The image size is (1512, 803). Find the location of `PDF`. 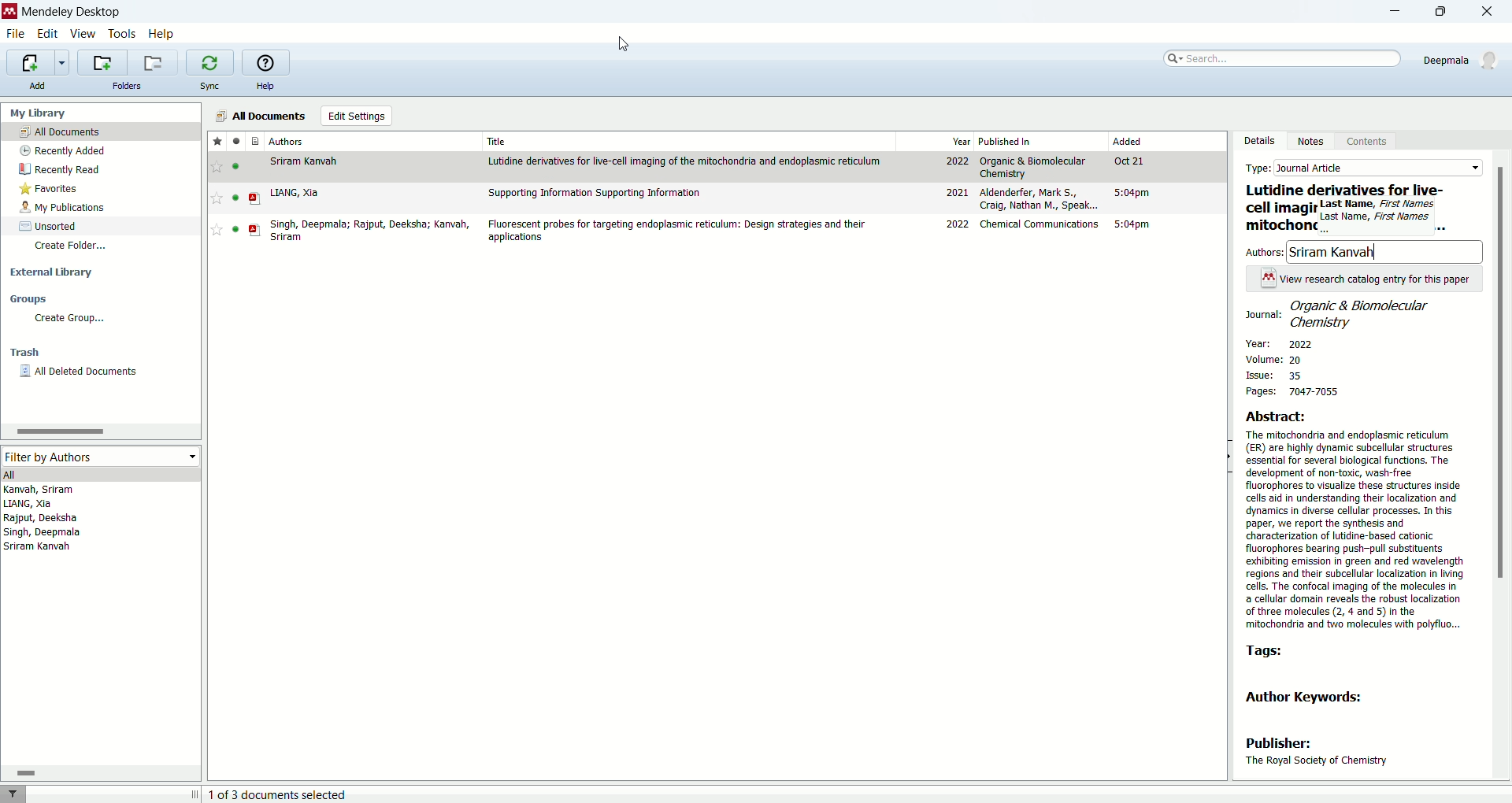

PDF is located at coordinates (258, 199).